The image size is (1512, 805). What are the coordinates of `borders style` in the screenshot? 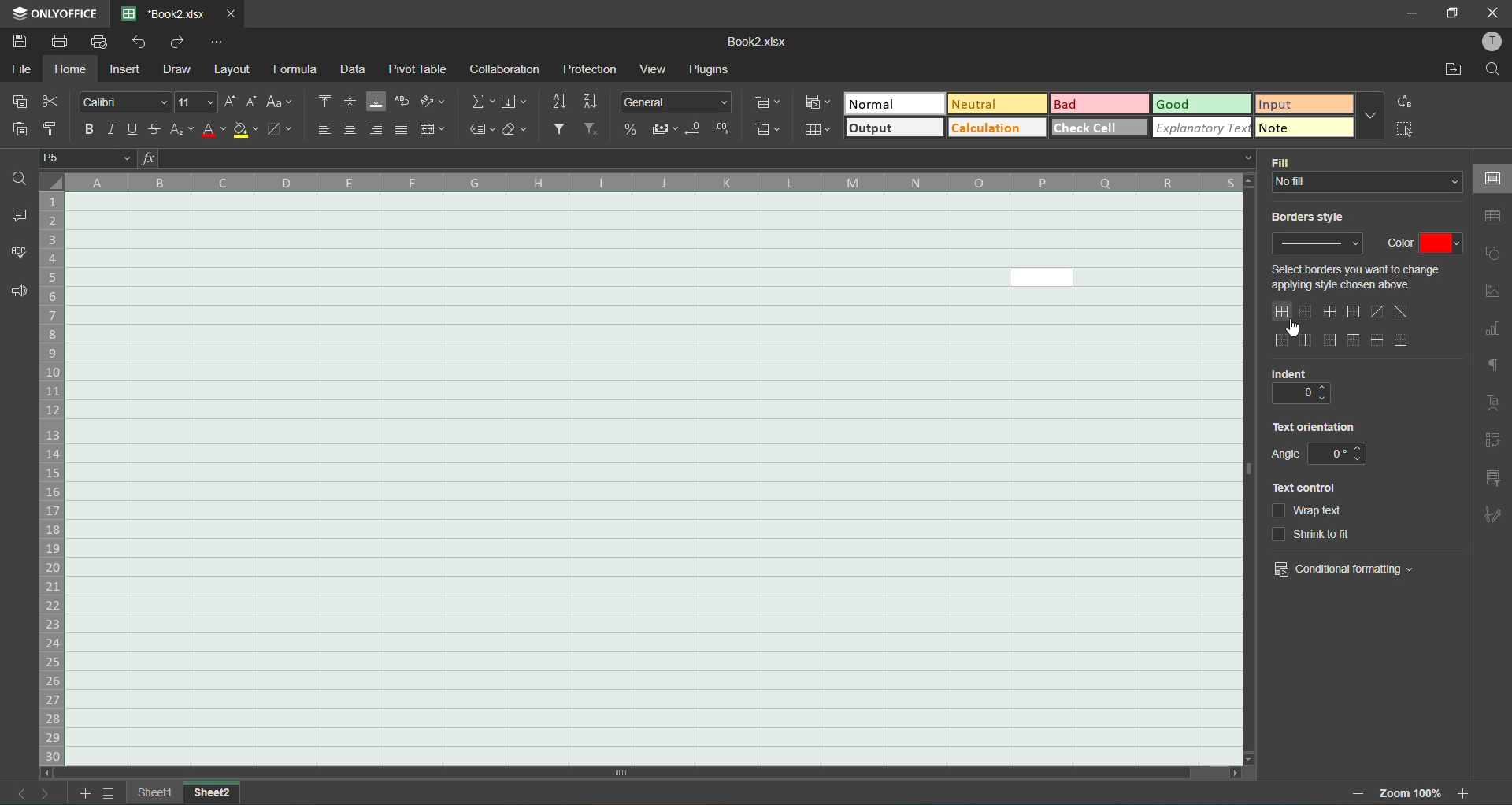 It's located at (1323, 243).